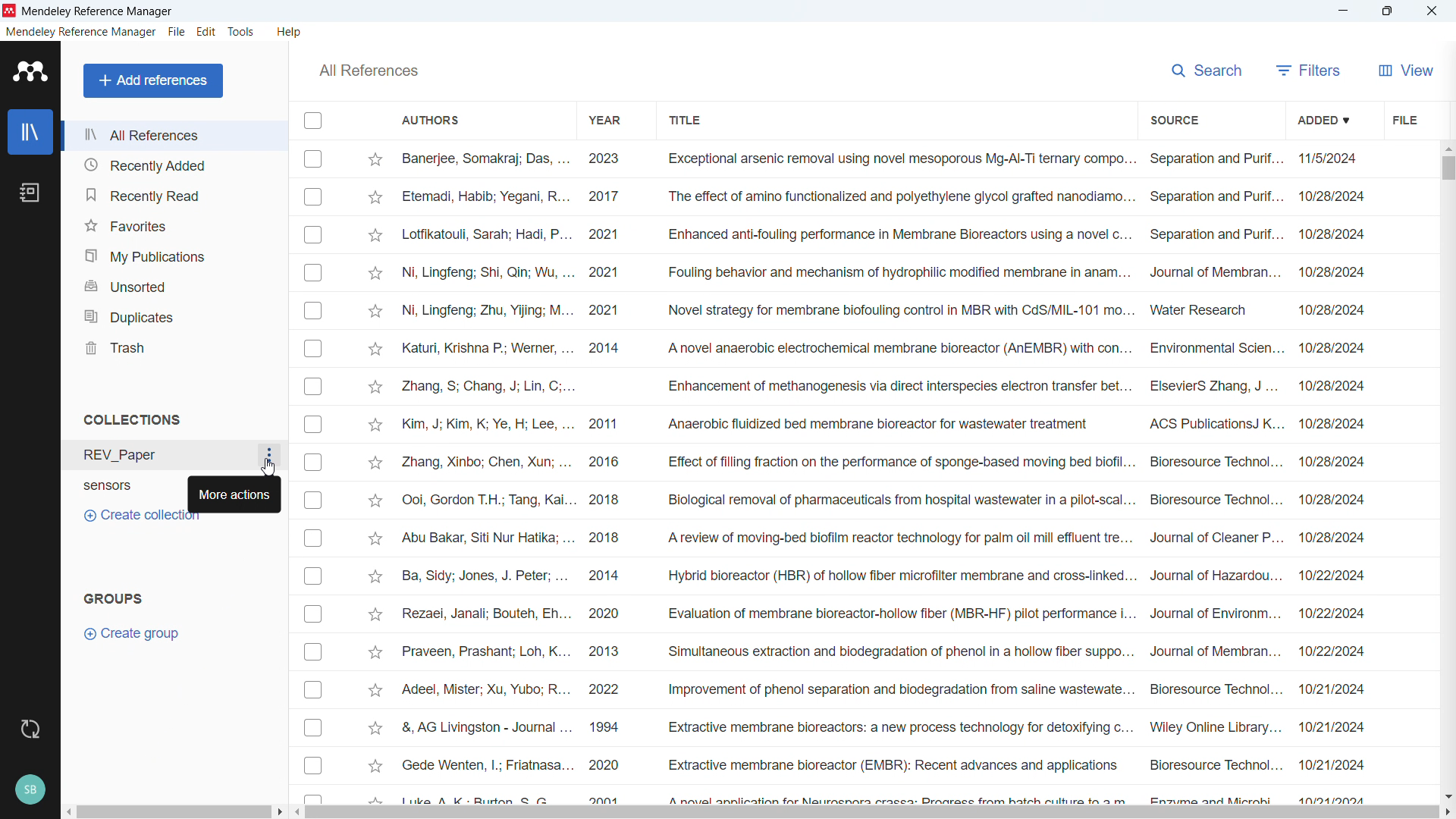 The height and width of the screenshot is (819, 1456). What do you see at coordinates (313, 197) in the screenshot?
I see `Select respective publication` at bounding box center [313, 197].